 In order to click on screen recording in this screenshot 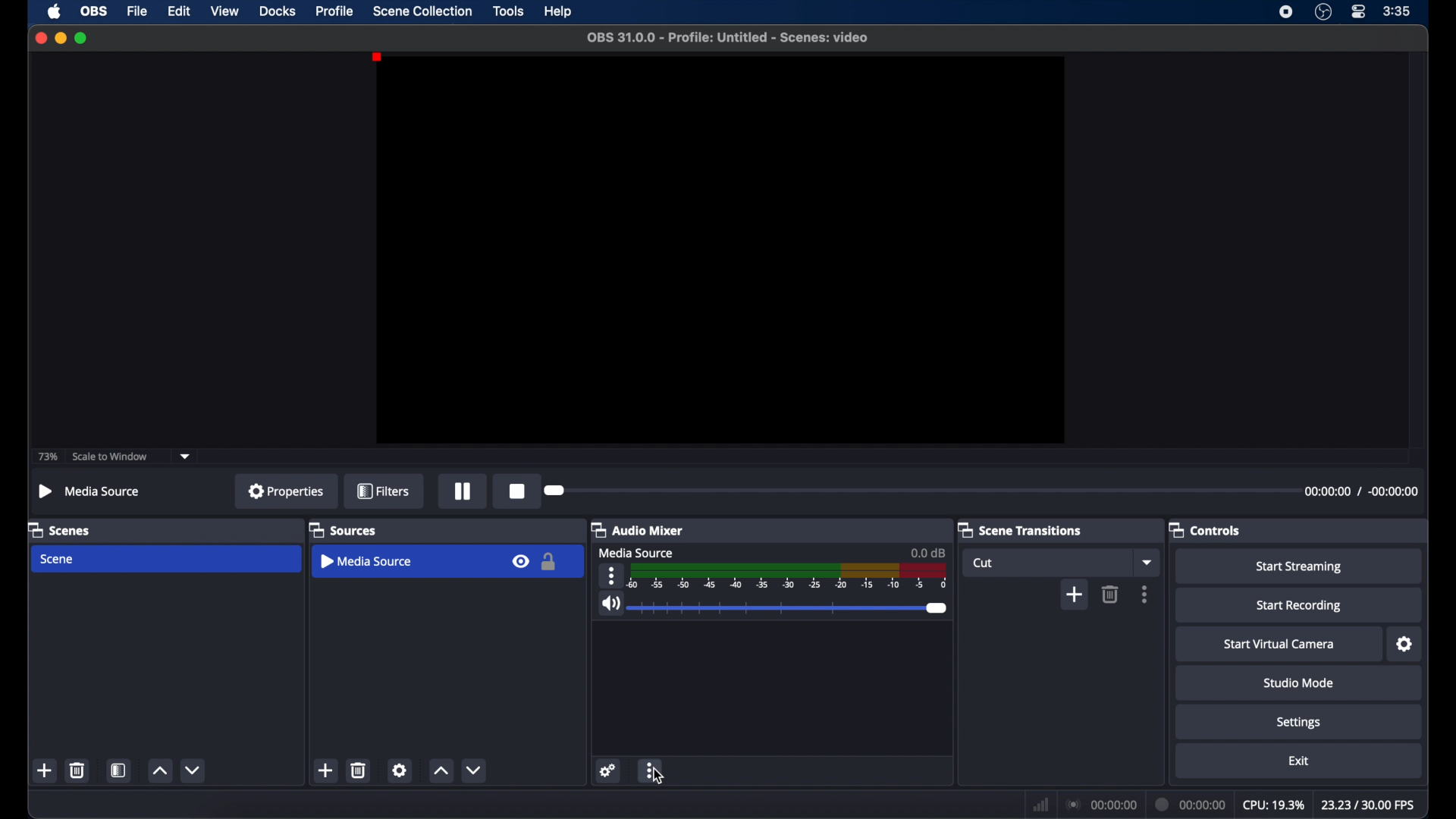, I will do `click(1286, 12)`.